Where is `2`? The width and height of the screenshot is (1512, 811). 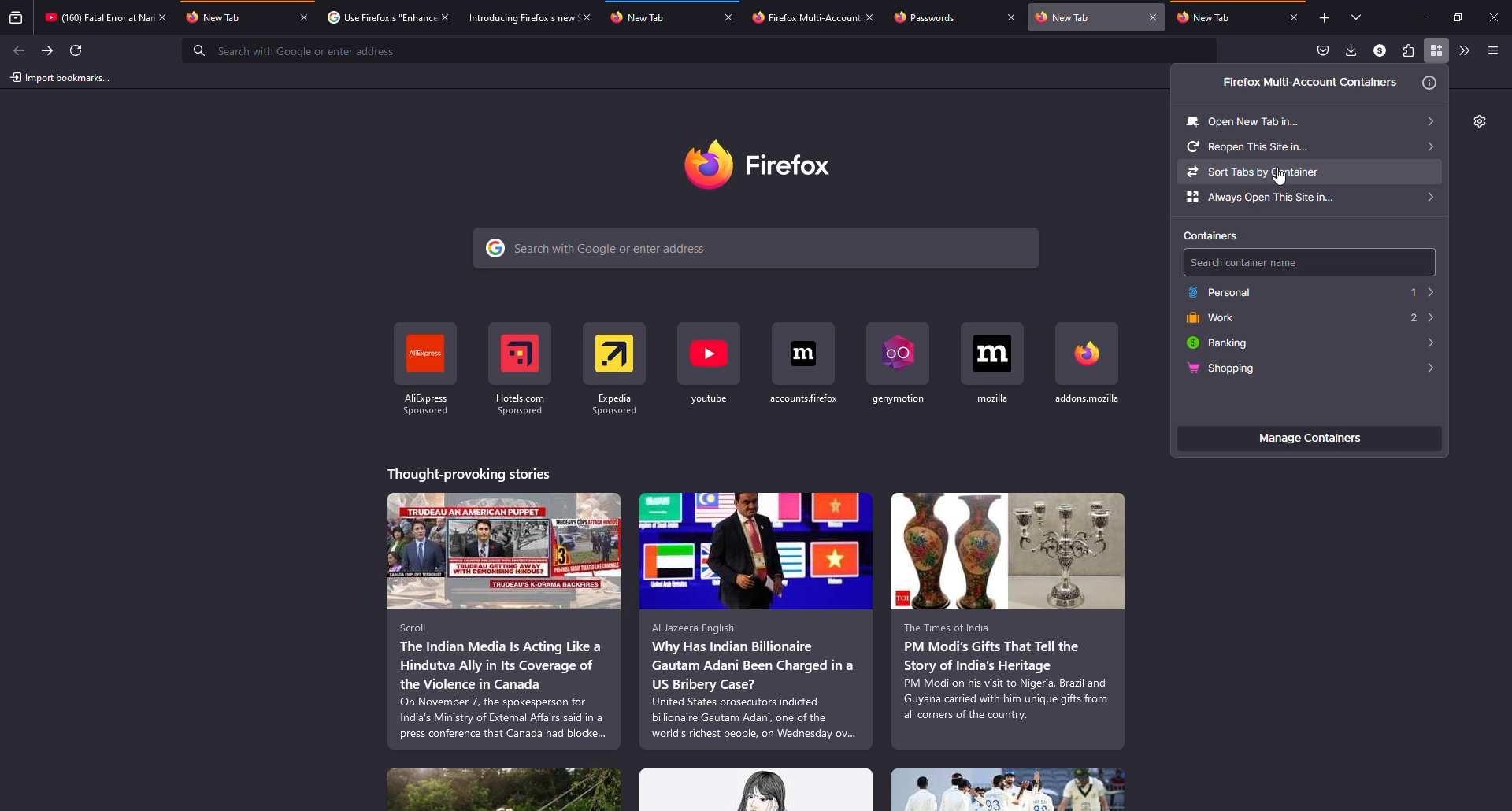
2 is located at coordinates (1419, 318).